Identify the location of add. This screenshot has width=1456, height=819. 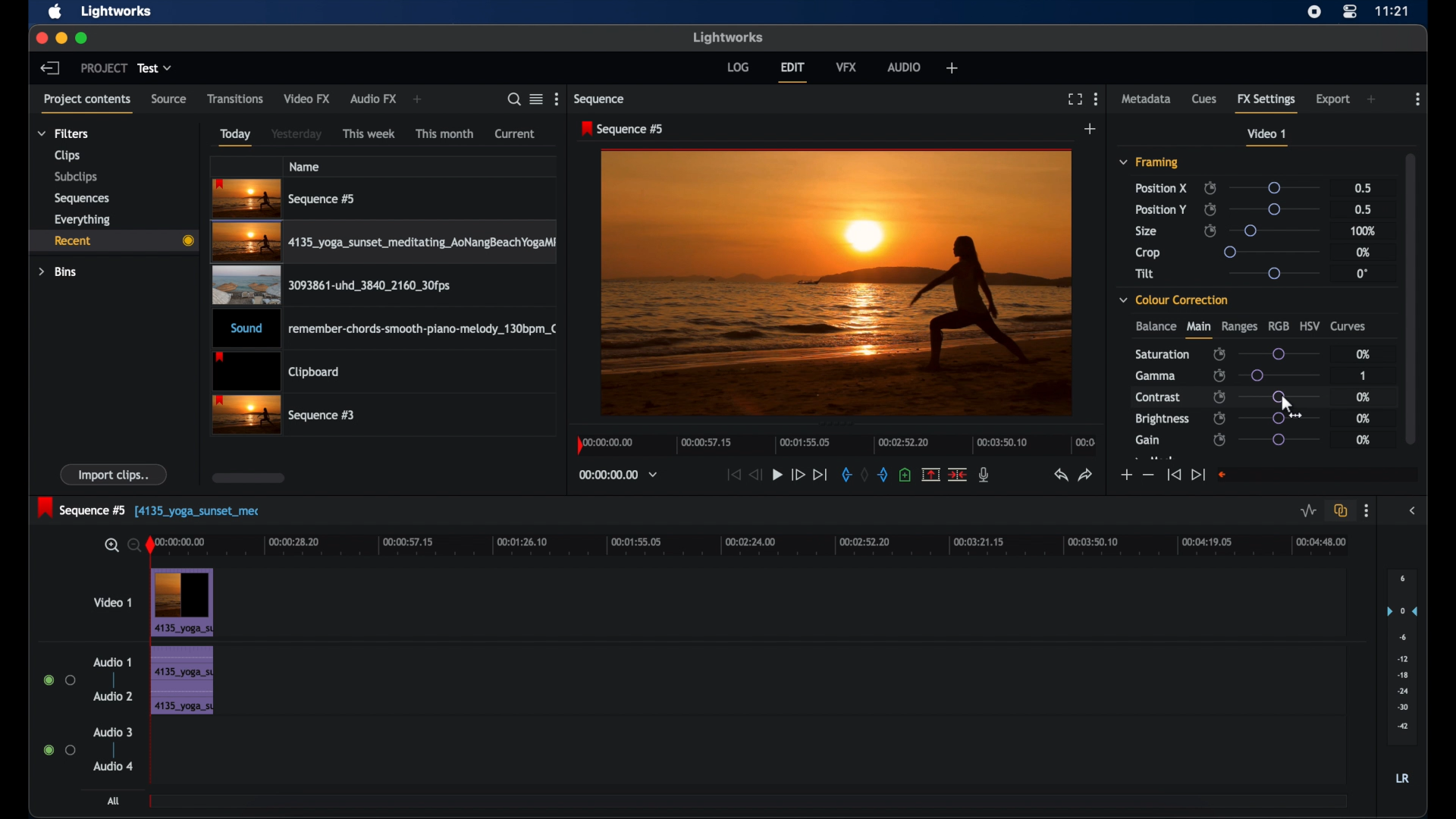
(1373, 99).